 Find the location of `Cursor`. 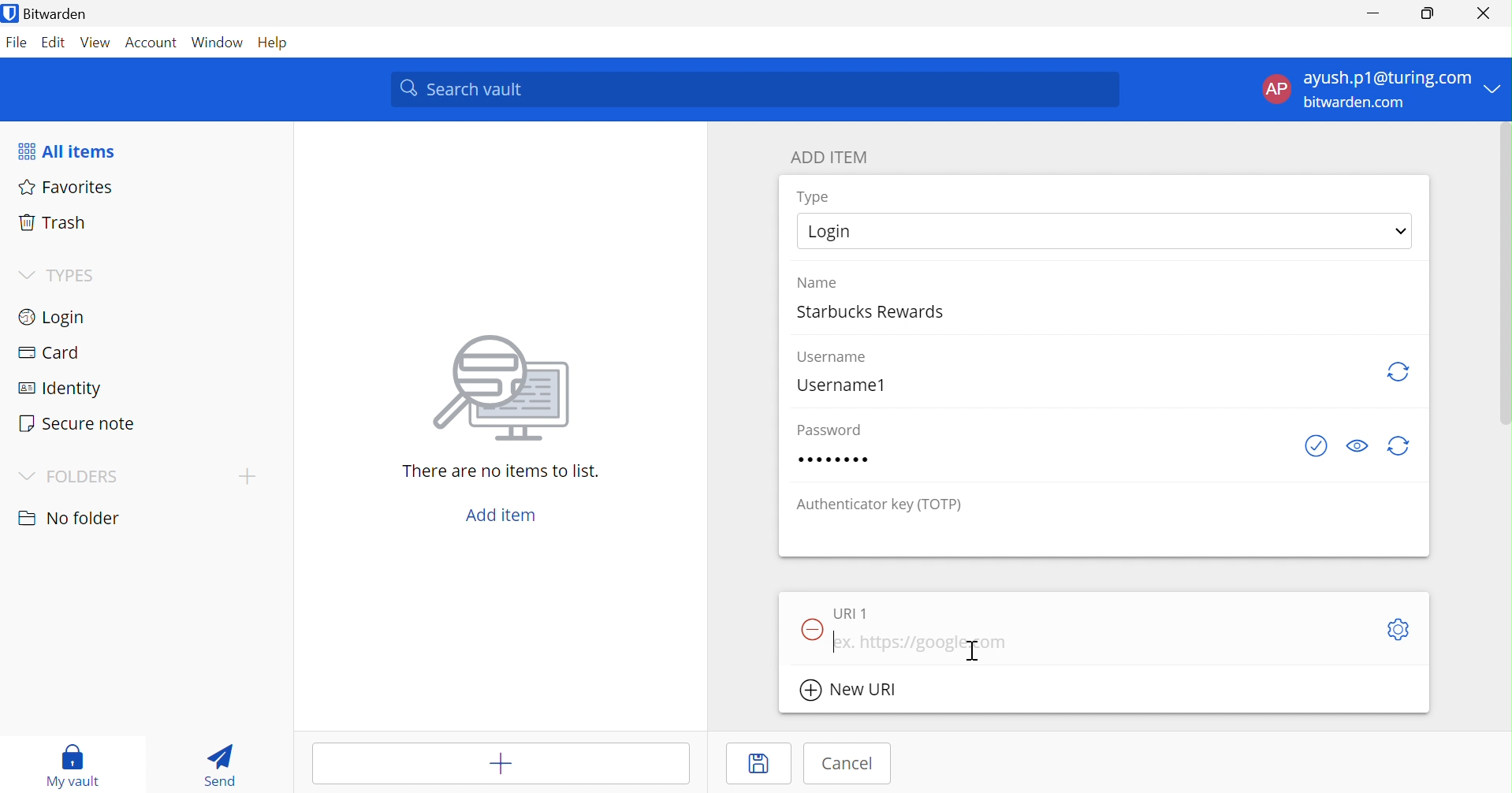

Cursor is located at coordinates (973, 650).